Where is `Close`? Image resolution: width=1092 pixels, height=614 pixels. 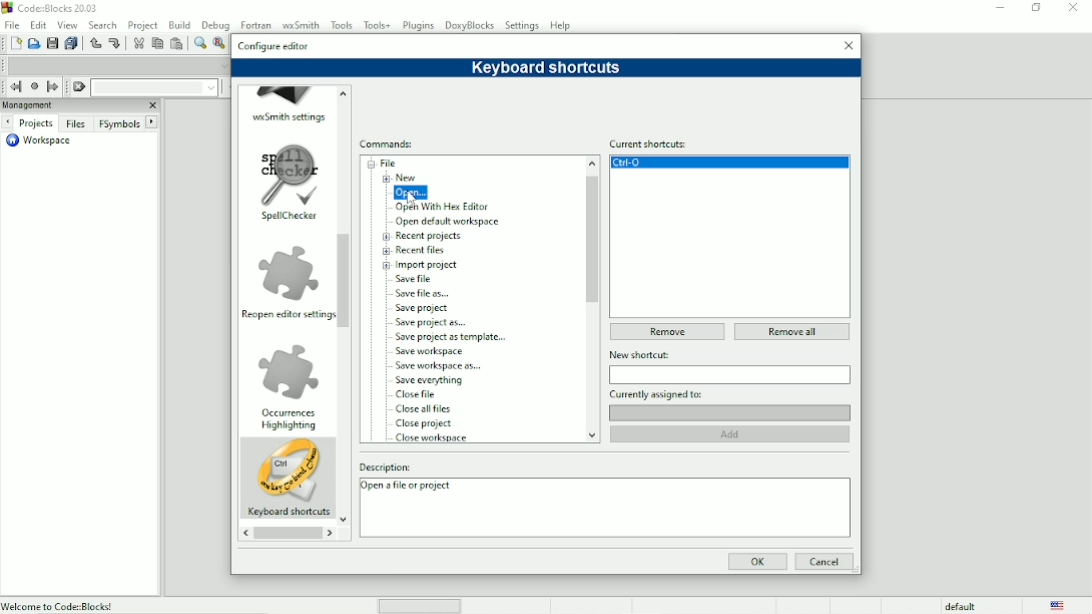 Close is located at coordinates (152, 105).